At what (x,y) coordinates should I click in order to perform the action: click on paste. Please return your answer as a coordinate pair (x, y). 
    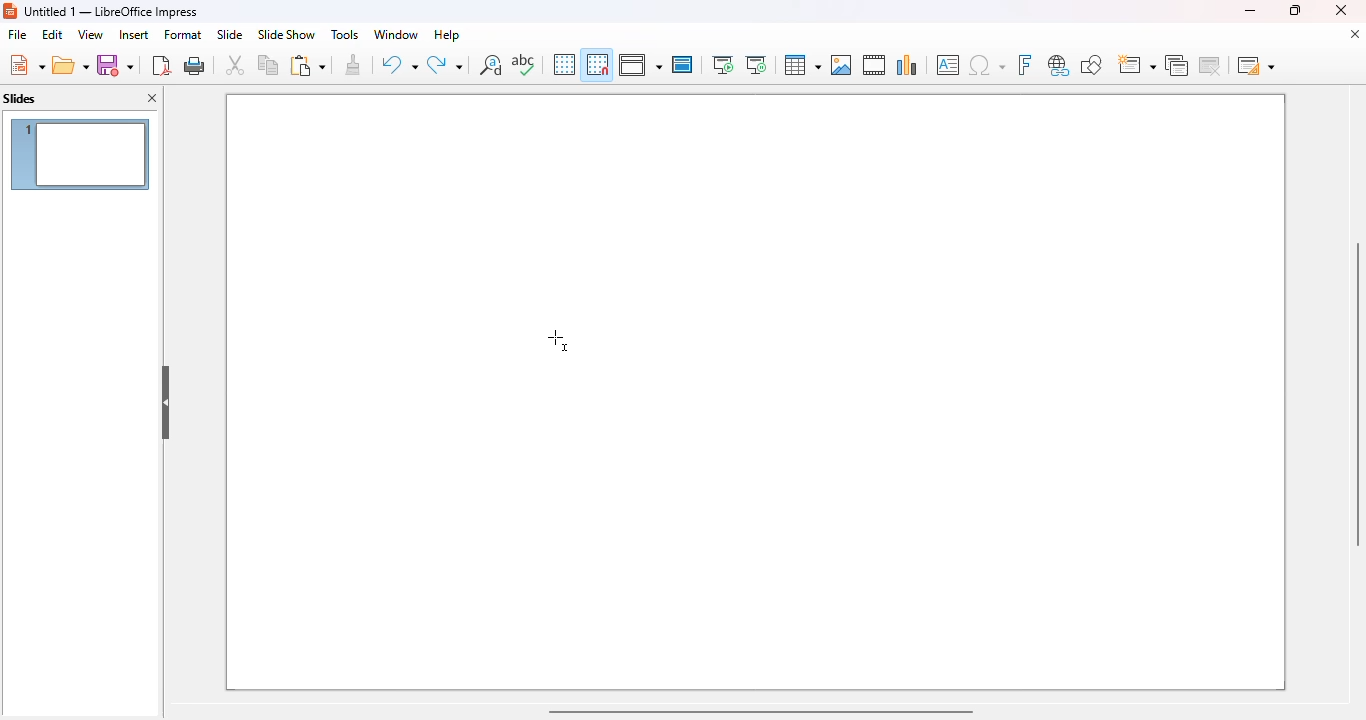
    Looking at the image, I should click on (307, 65).